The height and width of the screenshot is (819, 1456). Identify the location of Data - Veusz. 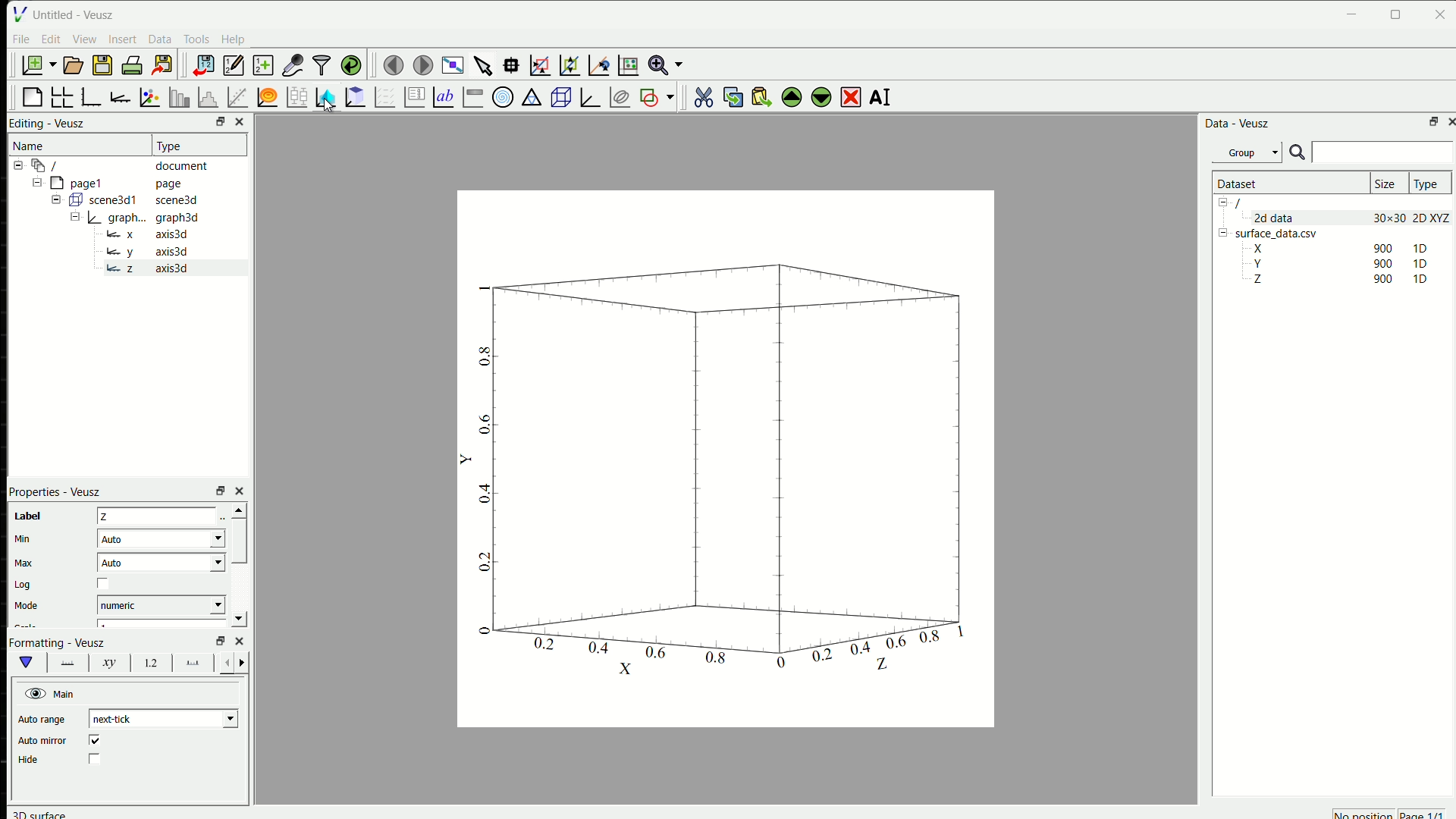
(1239, 124).